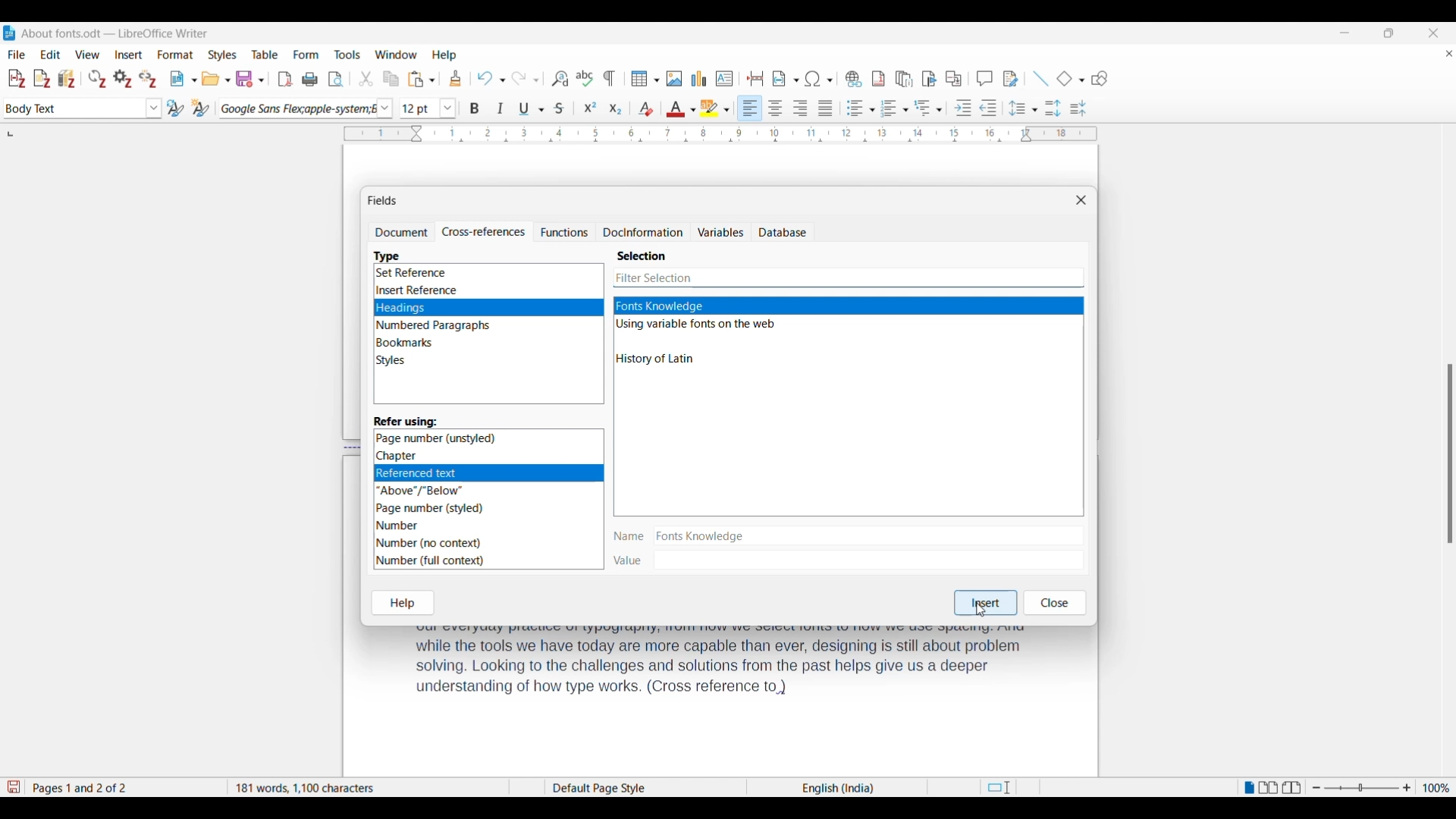 The height and width of the screenshot is (819, 1456). What do you see at coordinates (610, 78) in the screenshot?
I see `Toggle formatting marks` at bounding box center [610, 78].